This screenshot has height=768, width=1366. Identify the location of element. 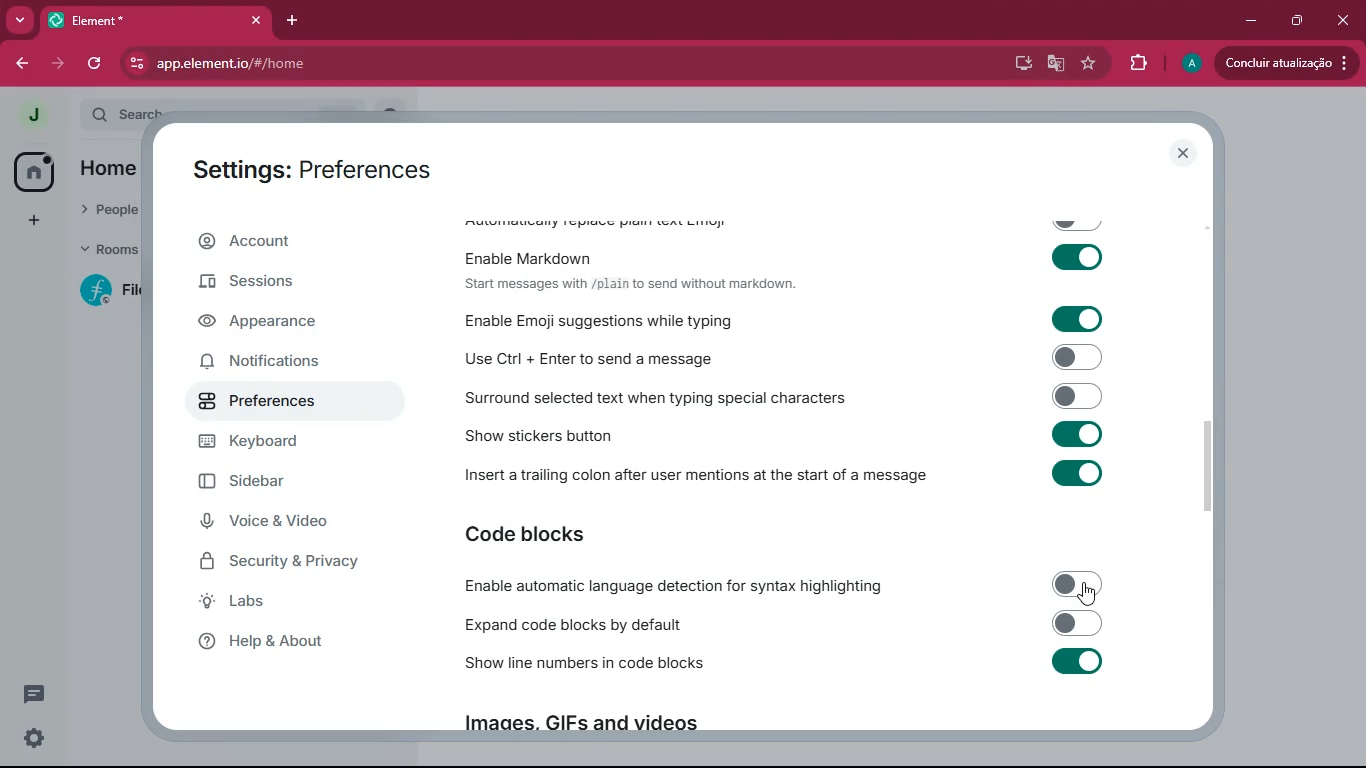
(159, 20).